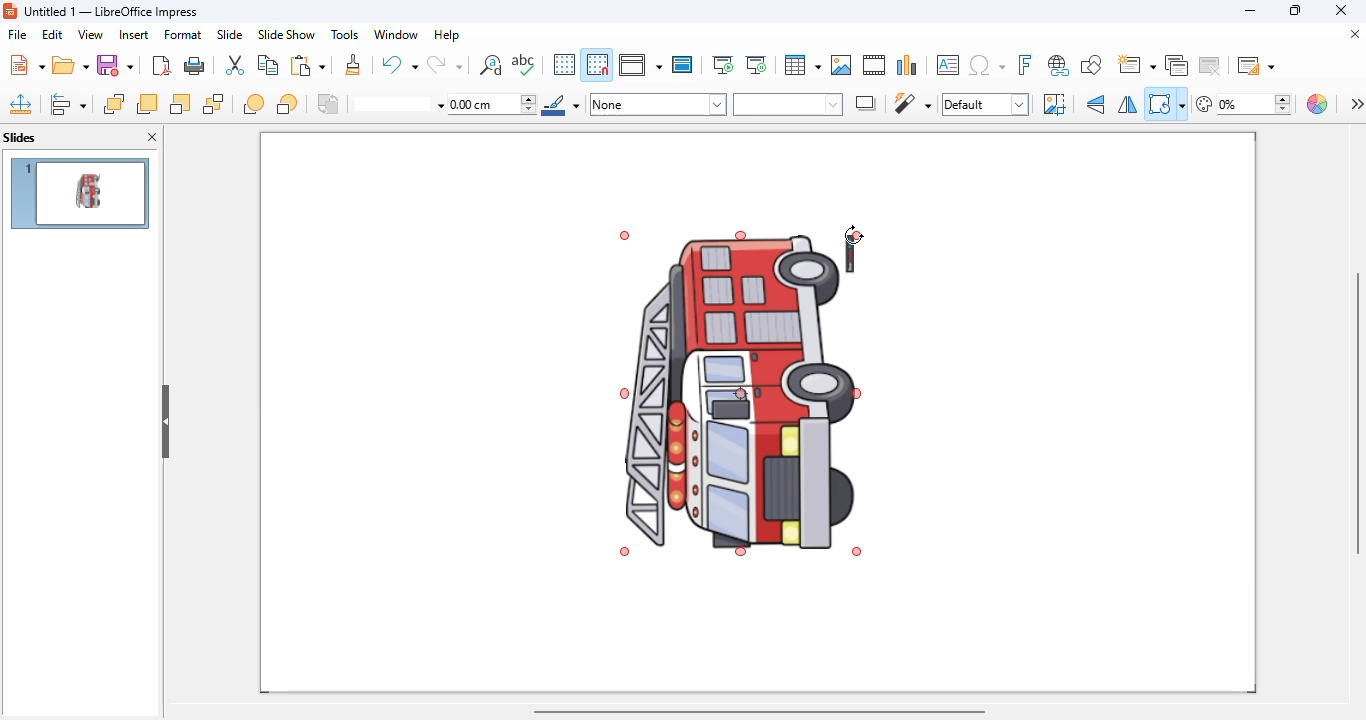 Image resolution: width=1366 pixels, height=720 pixels. I want to click on bring forward, so click(146, 104).